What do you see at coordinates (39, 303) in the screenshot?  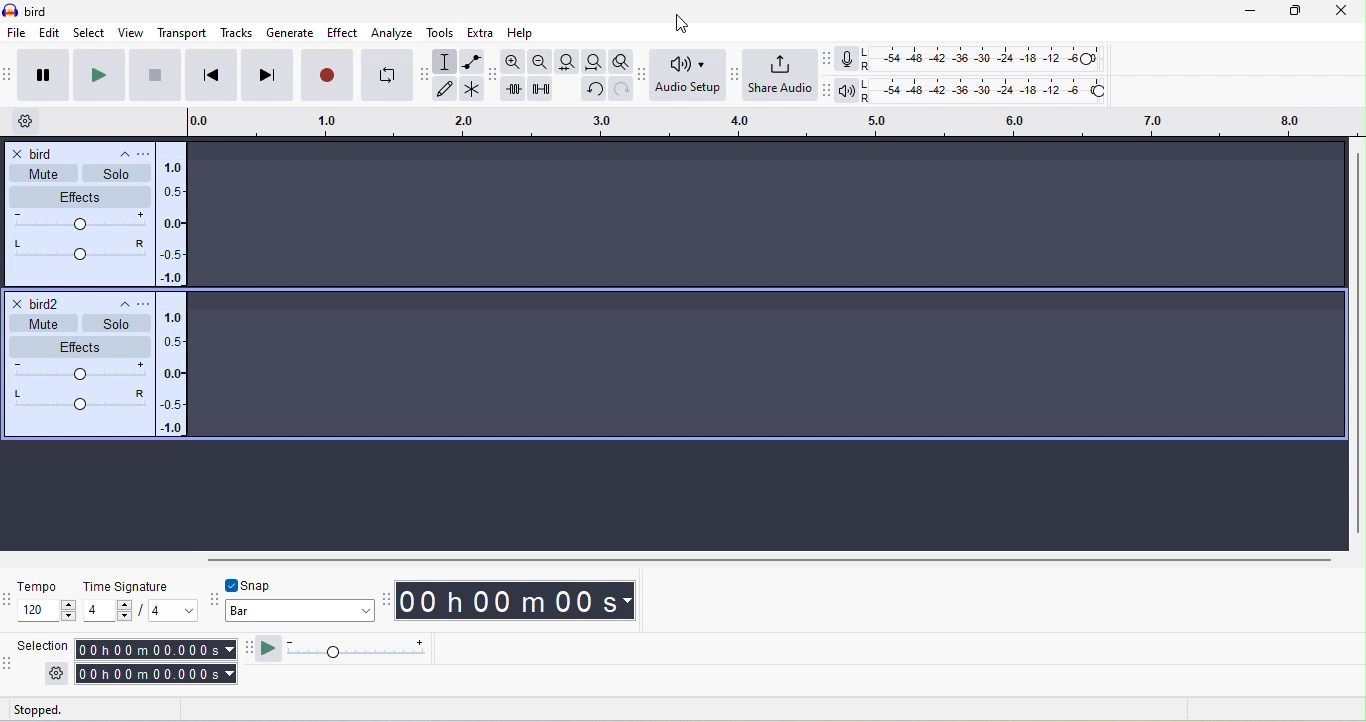 I see `bird 2` at bounding box center [39, 303].